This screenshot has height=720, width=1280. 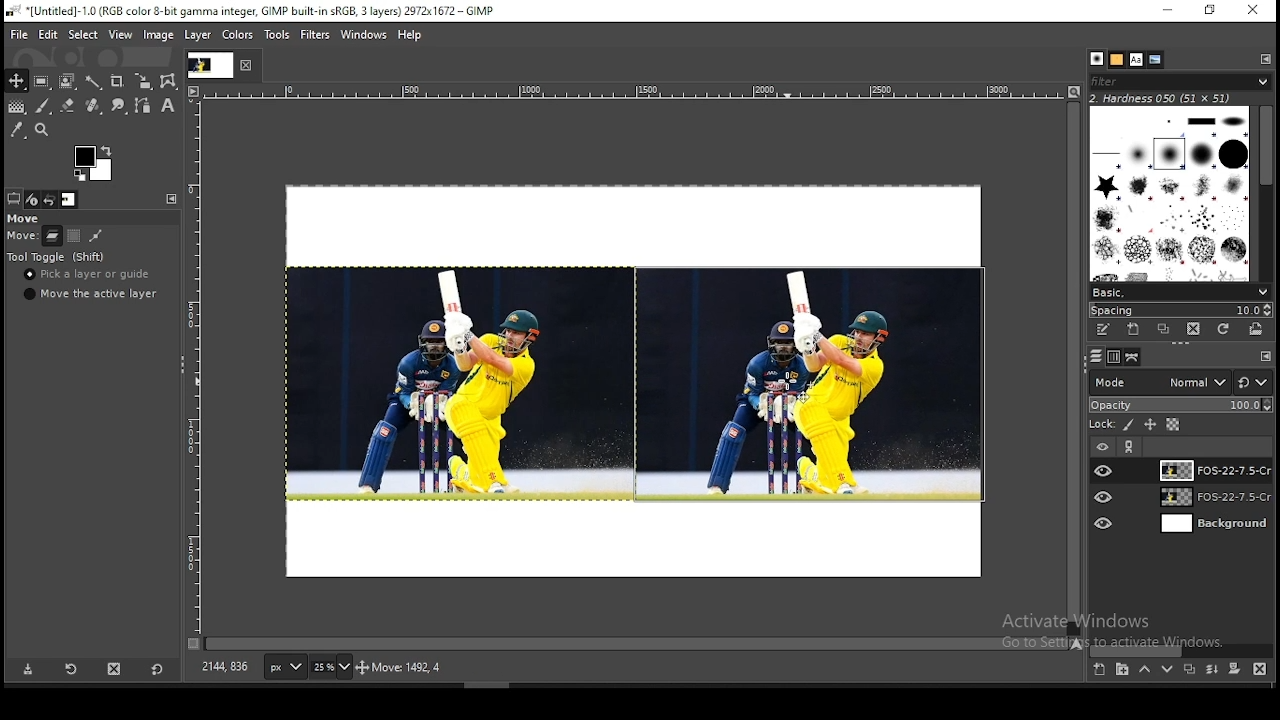 I want to click on text tool, so click(x=166, y=107).